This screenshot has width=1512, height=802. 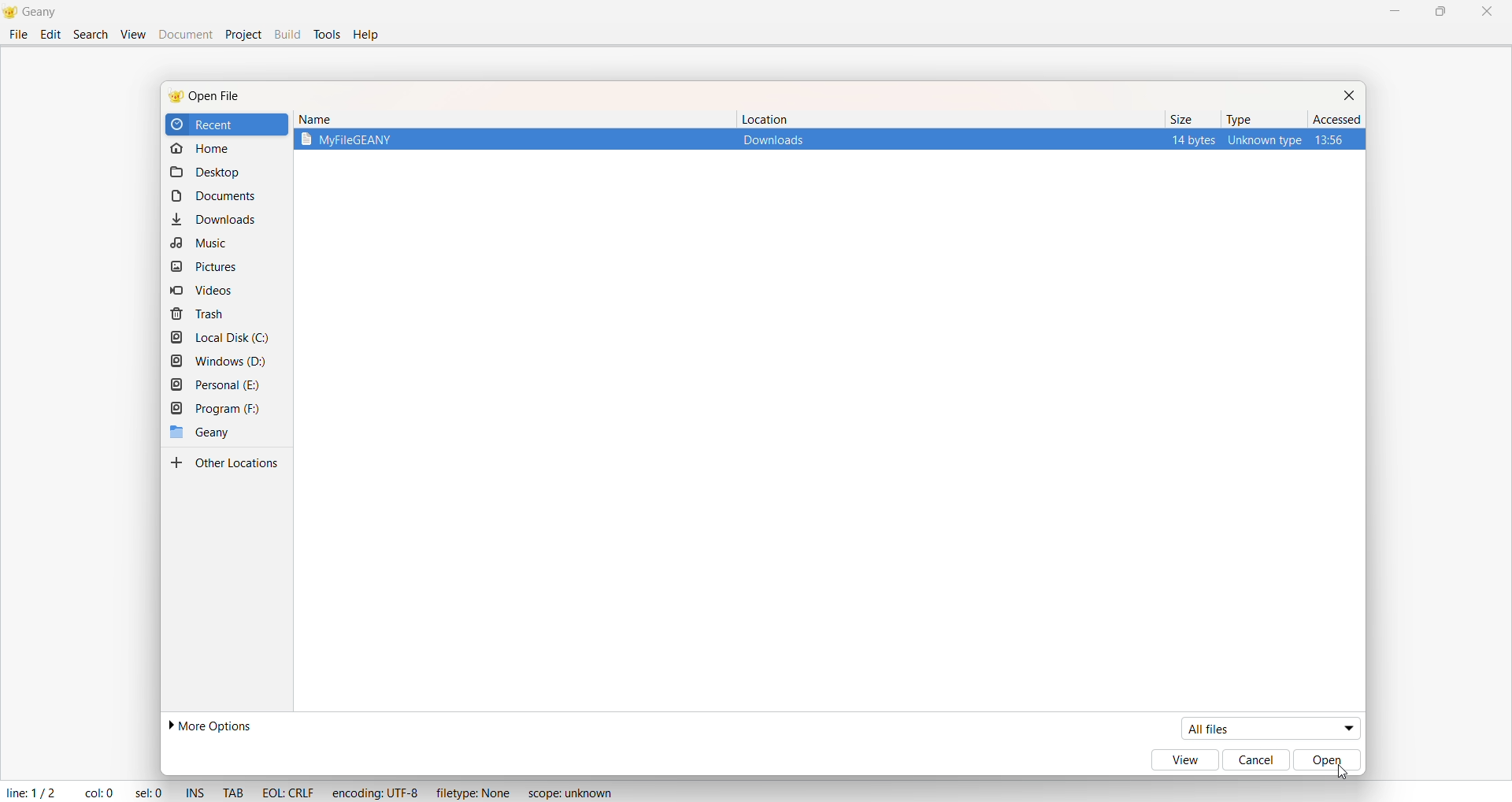 What do you see at coordinates (148, 792) in the screenshot?
I see `sel: 0` at bounding box center [148, 792].